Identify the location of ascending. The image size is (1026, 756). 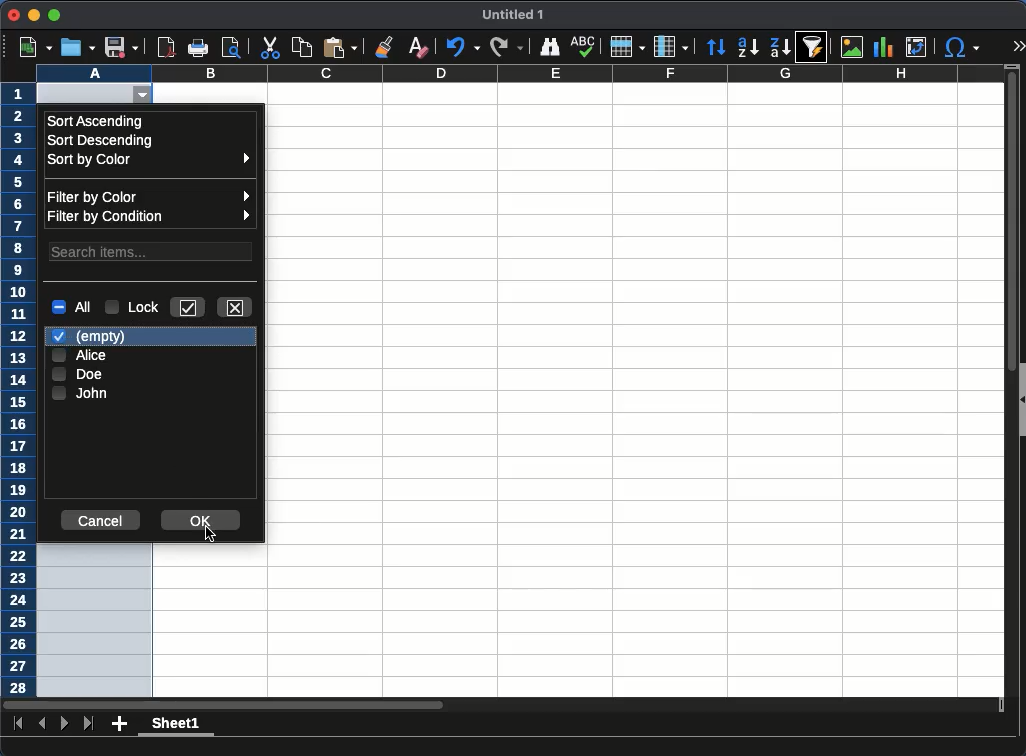
(748, 48).